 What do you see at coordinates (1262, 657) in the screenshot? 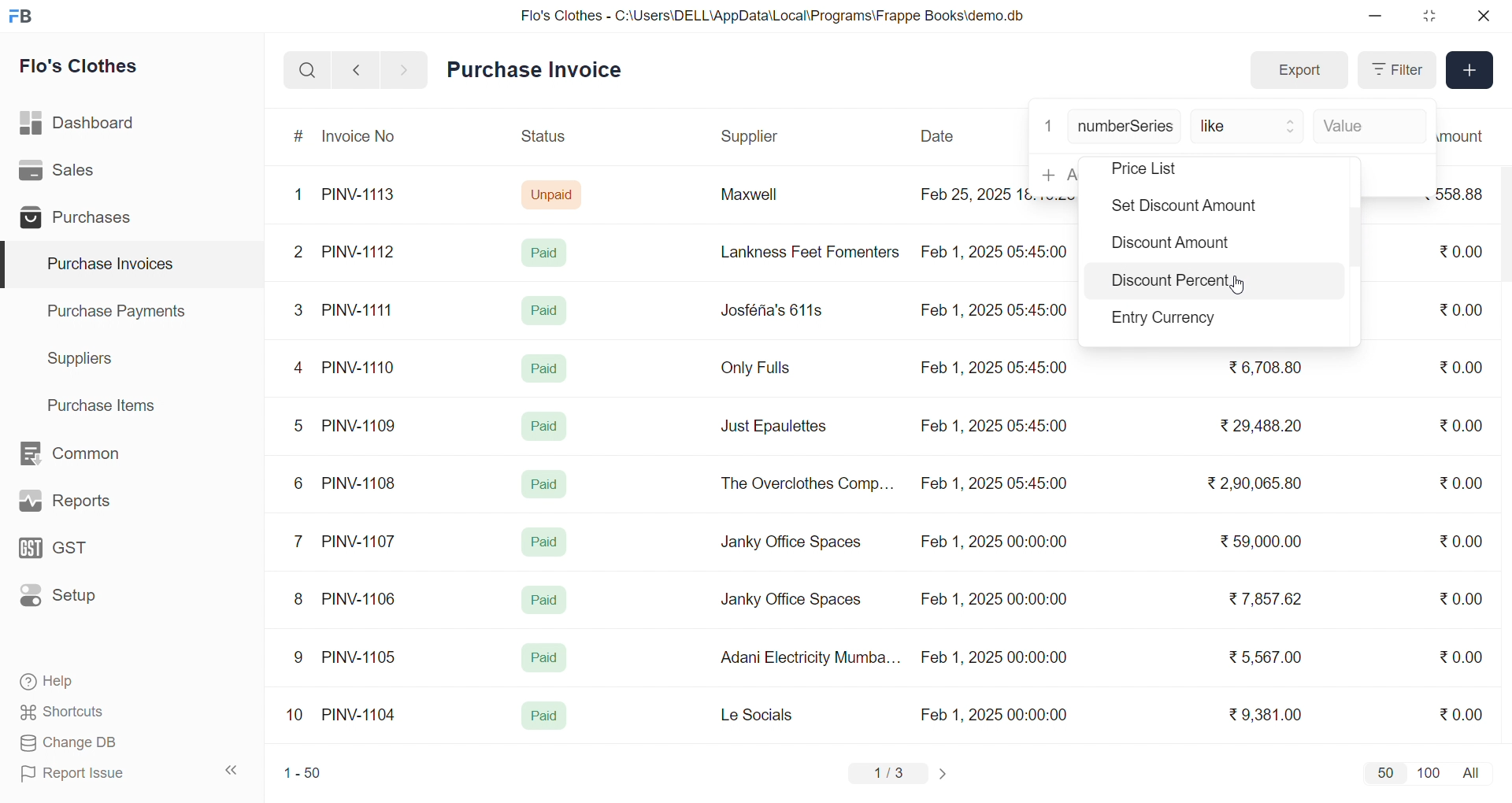
I see `₹ 5,567.00` at bounding box center [1262, 657].